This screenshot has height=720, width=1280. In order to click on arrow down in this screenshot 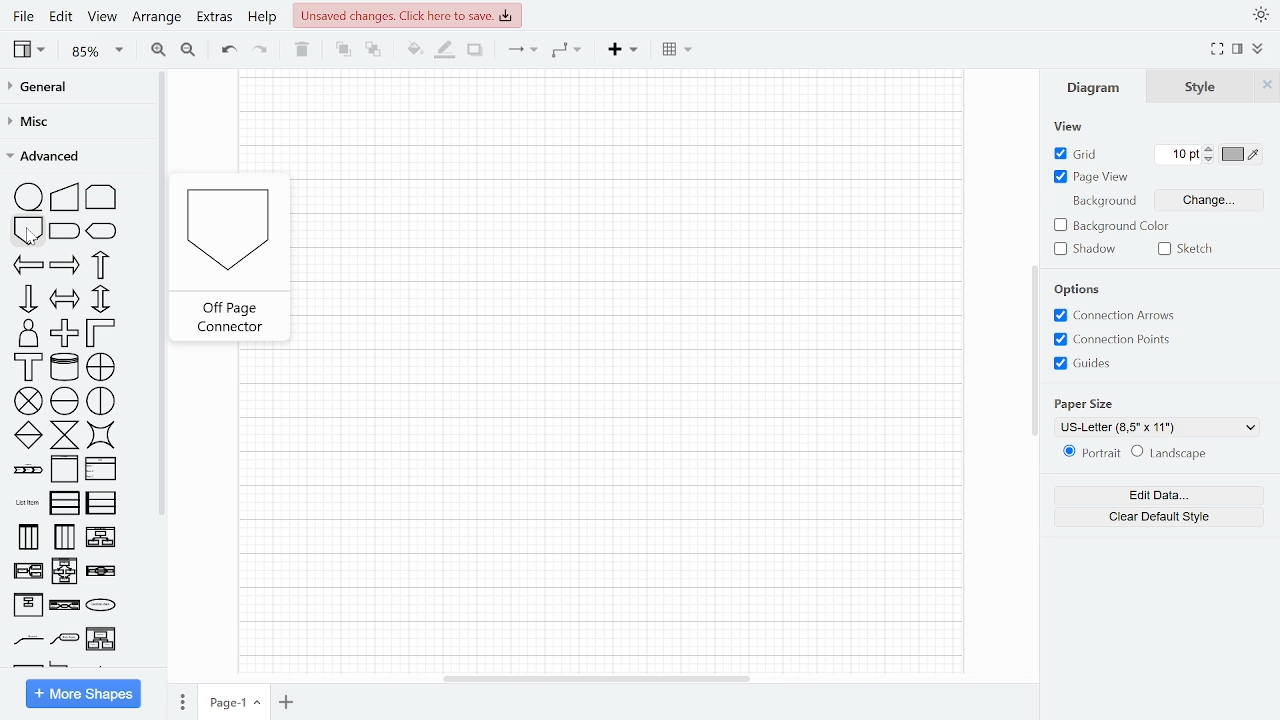, I will do `click(28, 299)`.